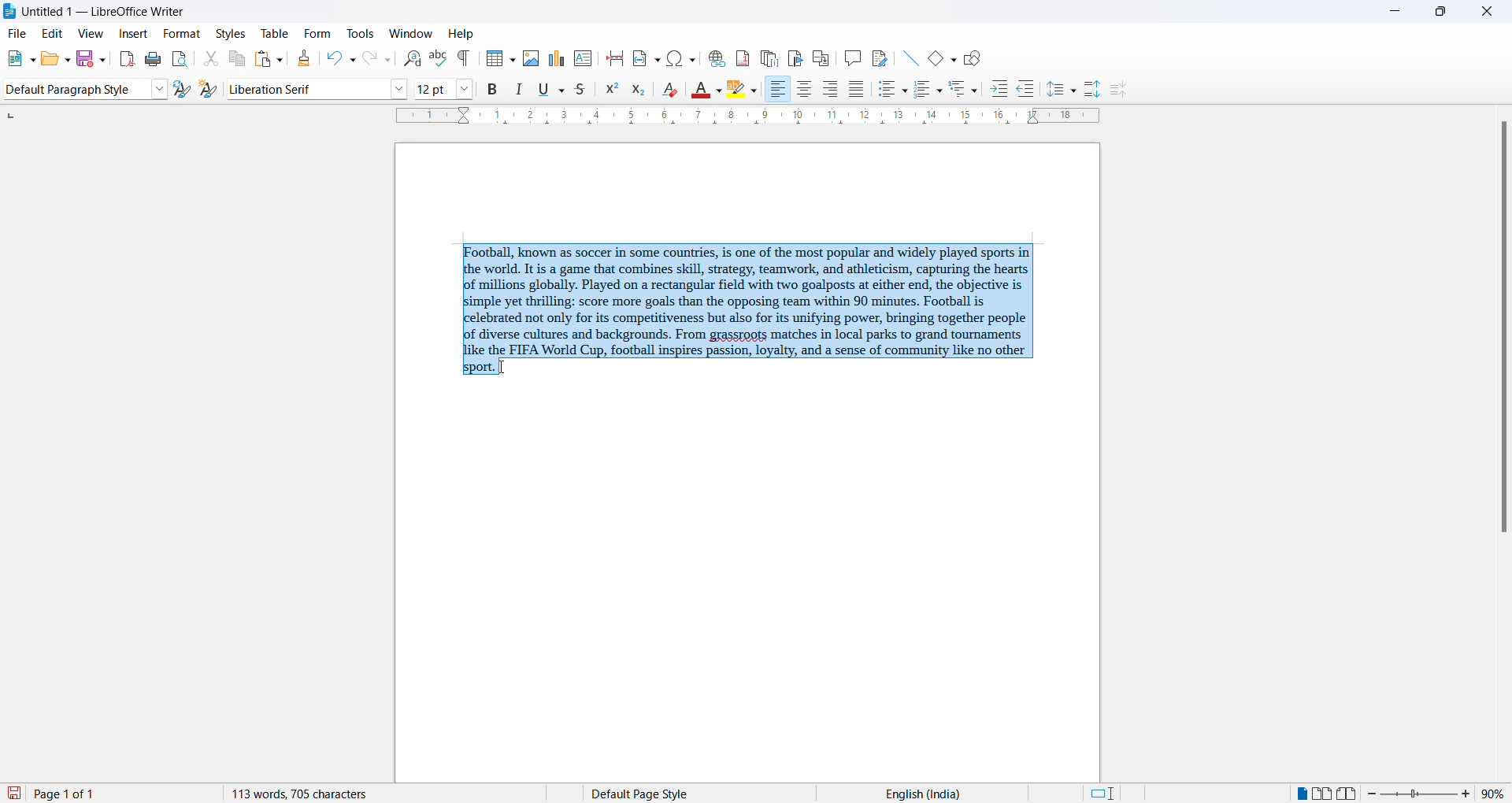  Describe the element at coordinates (1073, 90) in the screenshot. I see `line spacing option dropdown` at that location.